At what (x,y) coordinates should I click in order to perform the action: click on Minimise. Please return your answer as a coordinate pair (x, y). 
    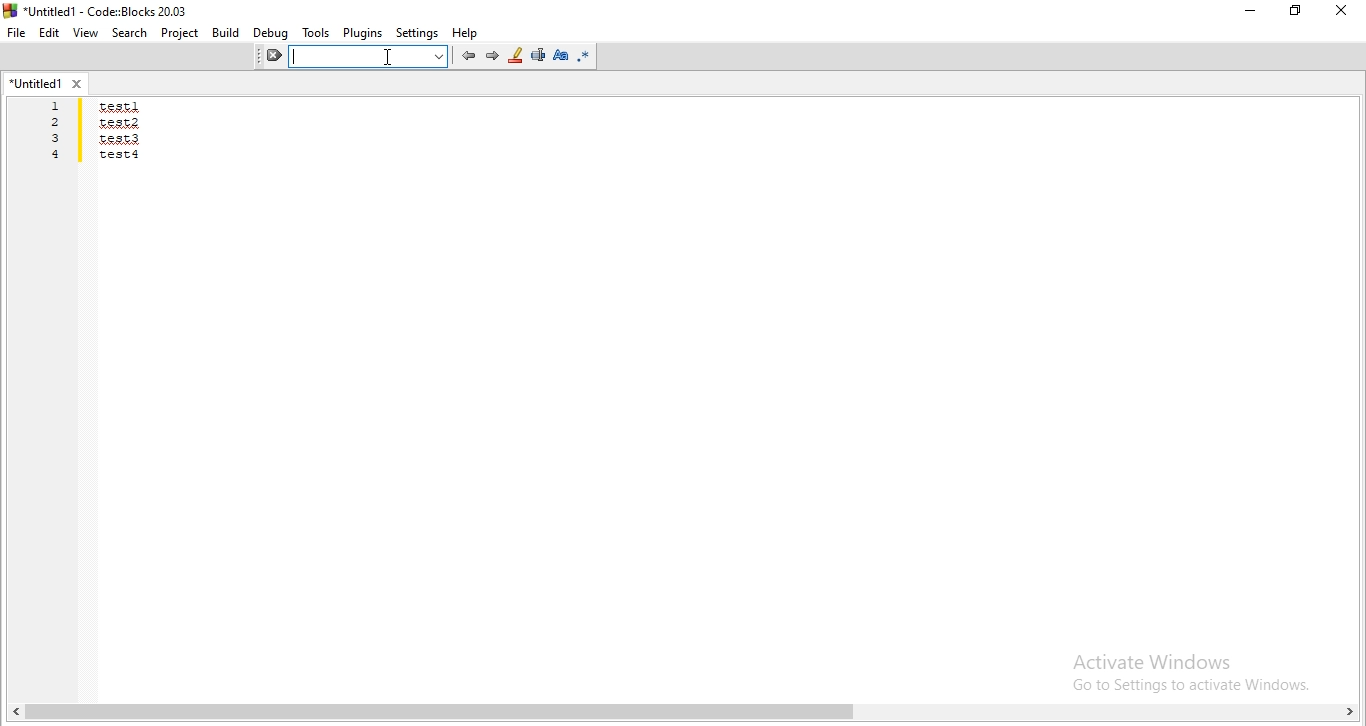
    Looking at the image, I should click on (1246, 14).